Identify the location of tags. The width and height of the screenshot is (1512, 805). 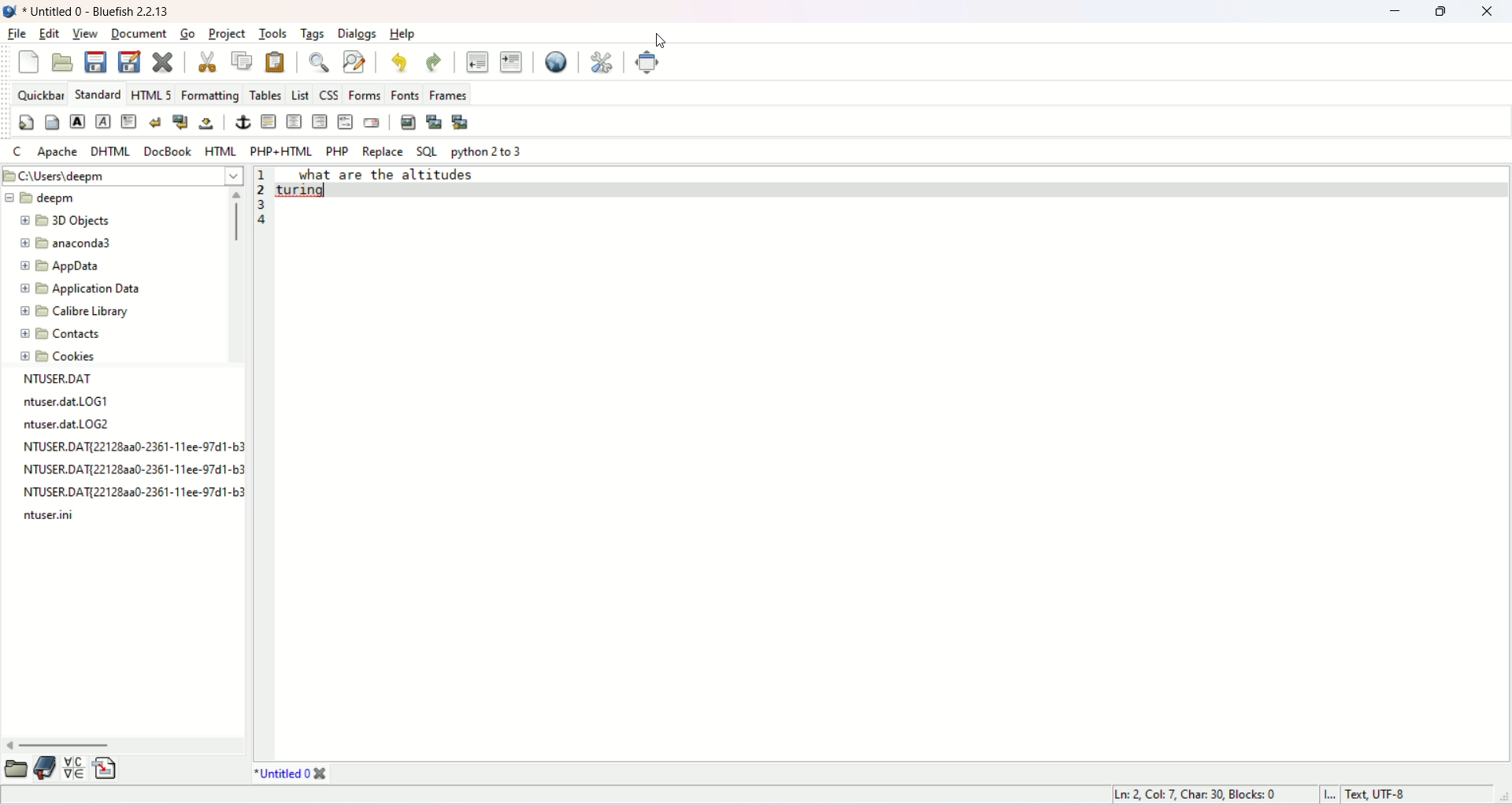
(312, 35).